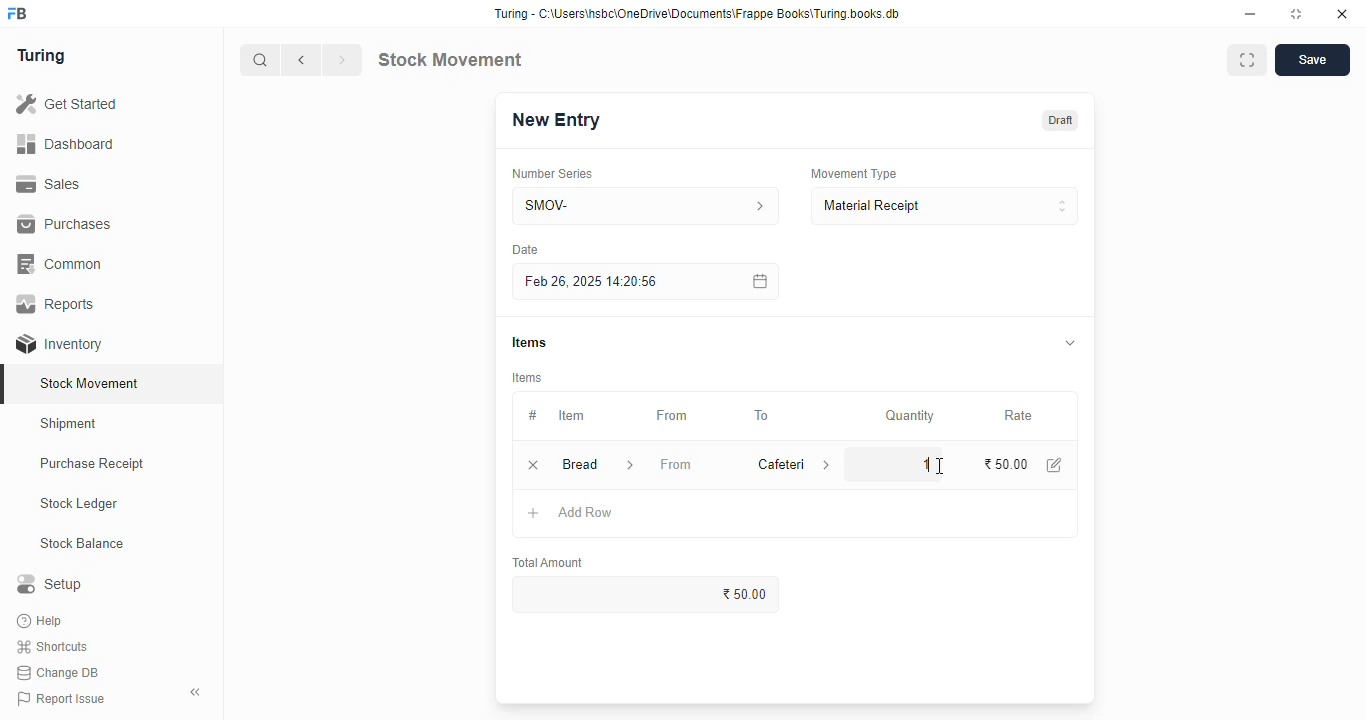 The image size is (1366, 720). I want to click on toggle between form and full width, so click(1247, 60).